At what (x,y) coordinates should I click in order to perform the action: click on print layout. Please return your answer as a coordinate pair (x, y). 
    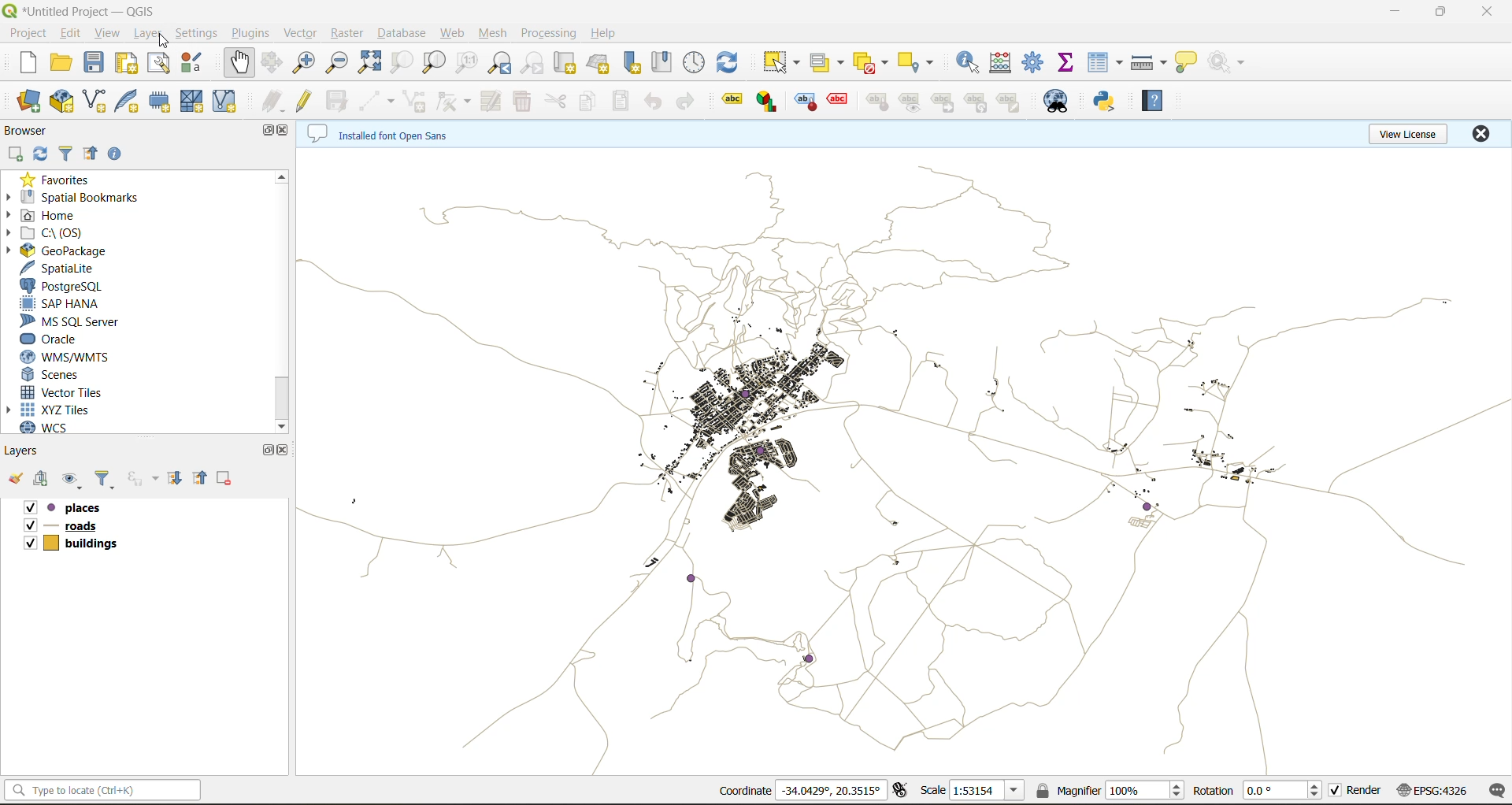
    Looking at the image, I should click on (126, 63).